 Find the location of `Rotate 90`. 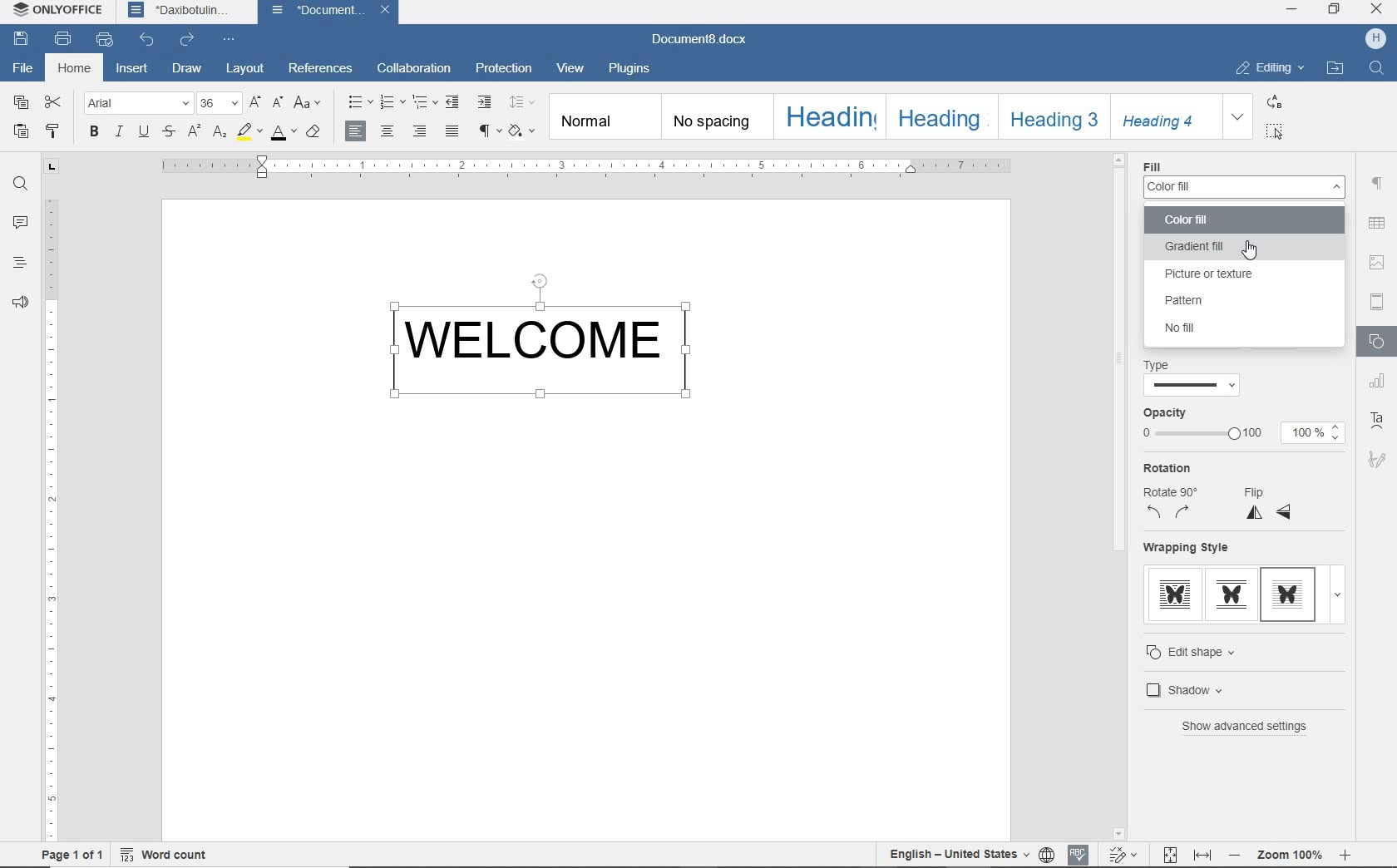

Rotate 90 is located at coordinates (1176, 491).